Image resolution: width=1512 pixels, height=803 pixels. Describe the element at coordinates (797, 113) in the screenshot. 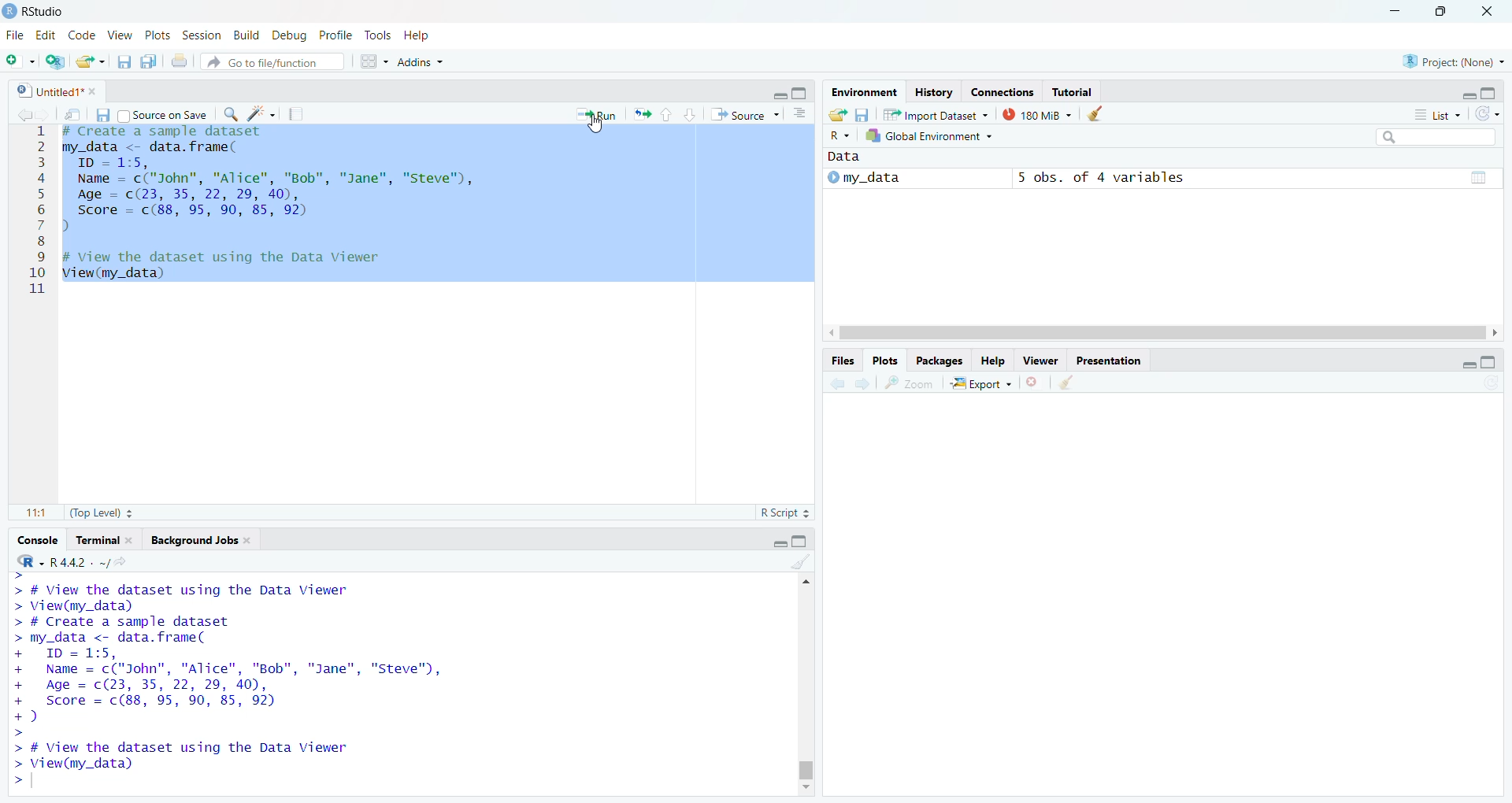

I see `Pages` at that location.